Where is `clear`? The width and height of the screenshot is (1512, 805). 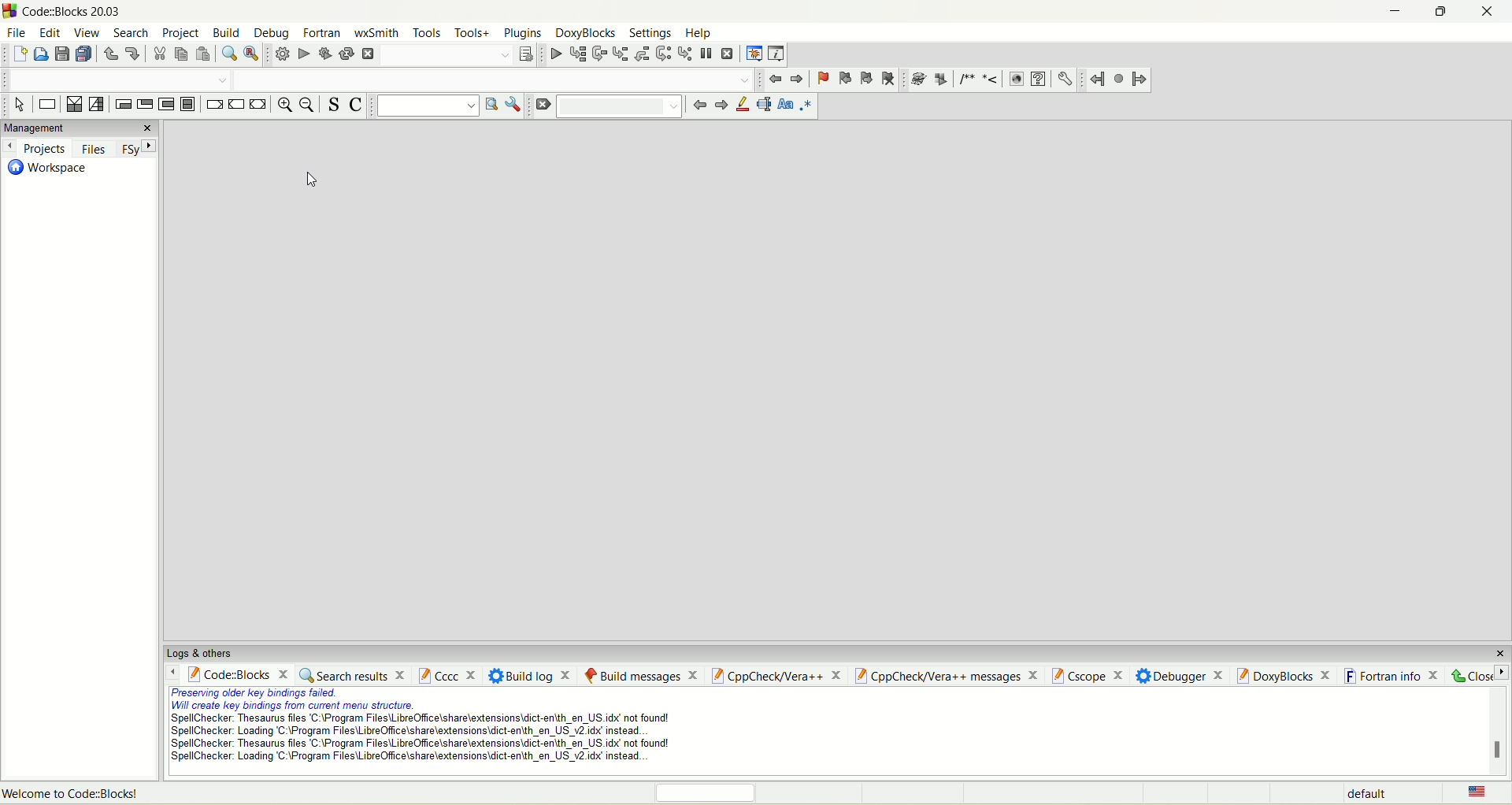 clear is located at coordinates (546, 109).